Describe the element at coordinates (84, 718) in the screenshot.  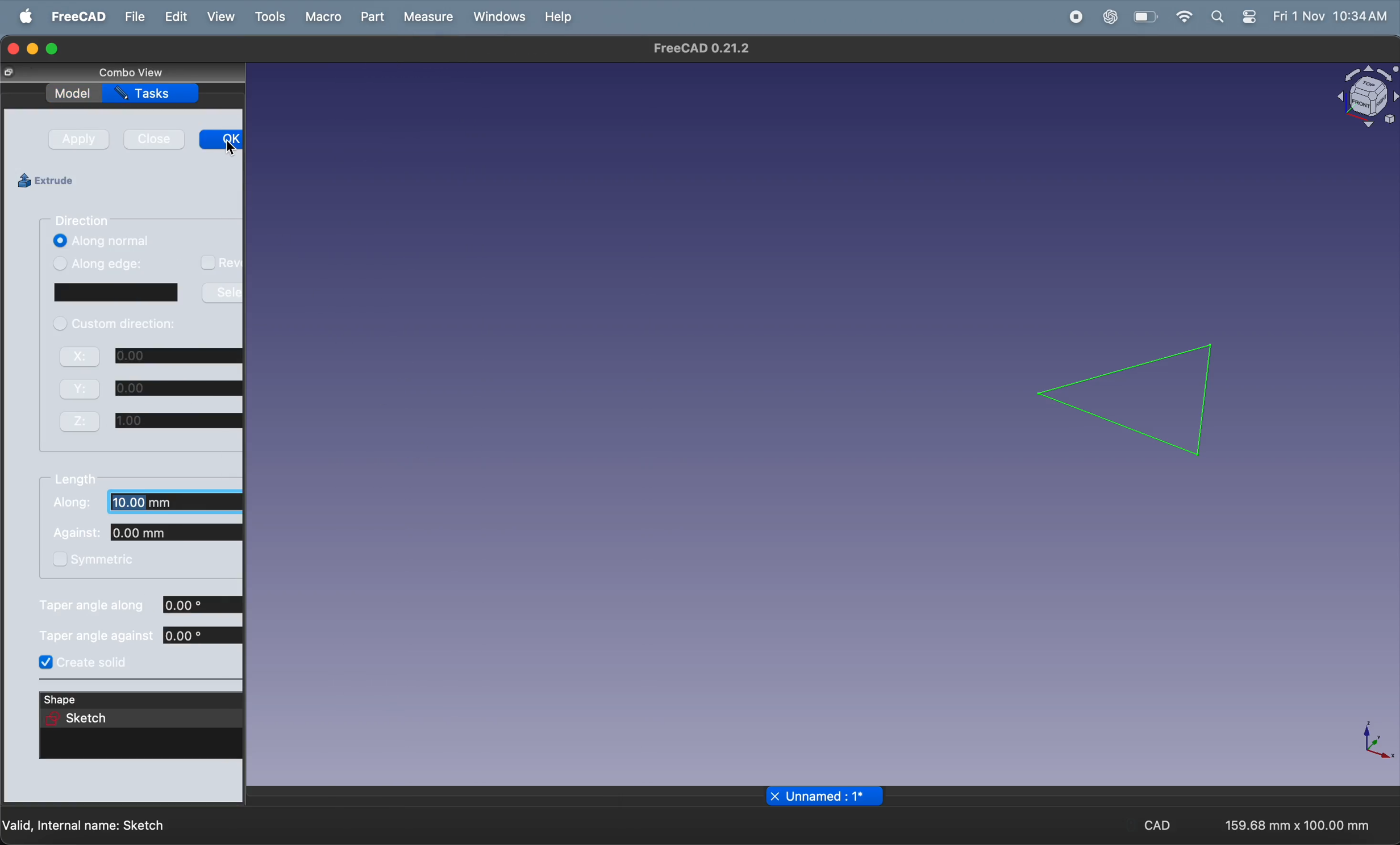
I see `selected shape sketch` at that location.